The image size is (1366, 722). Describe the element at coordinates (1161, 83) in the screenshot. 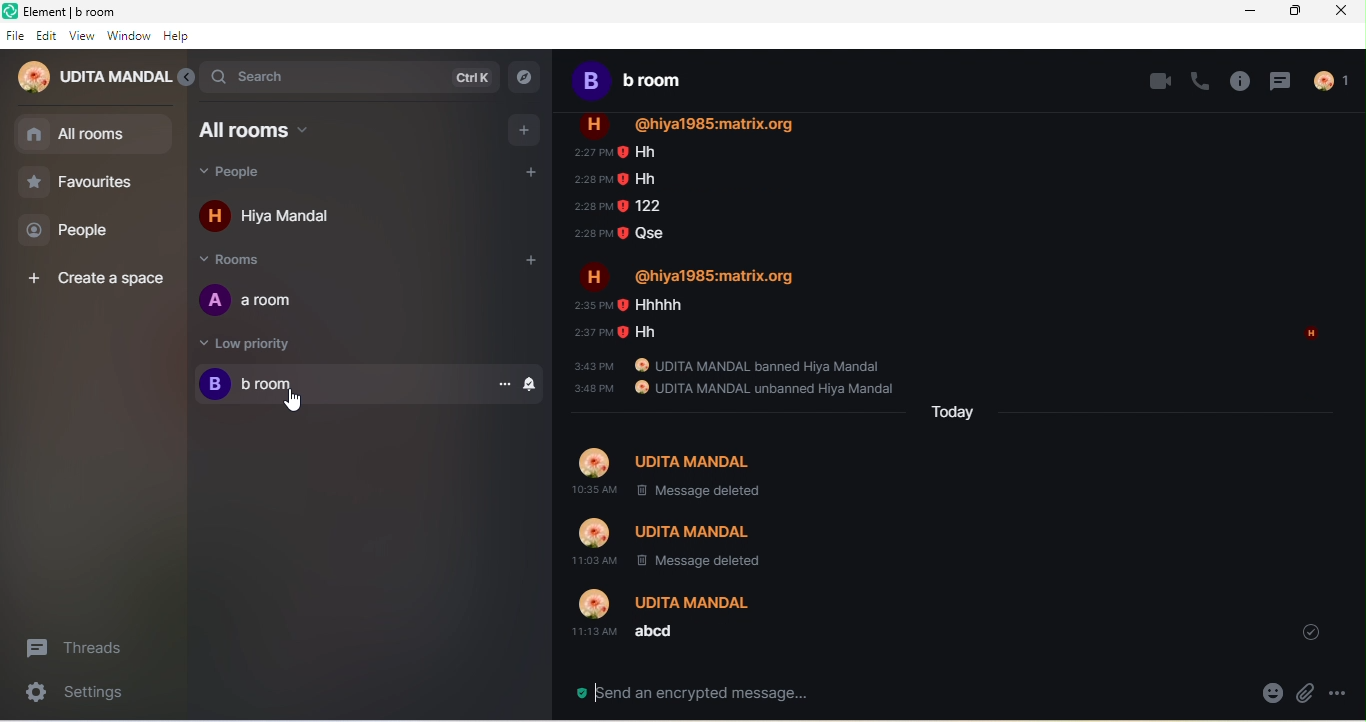

I see `video call` at that location.